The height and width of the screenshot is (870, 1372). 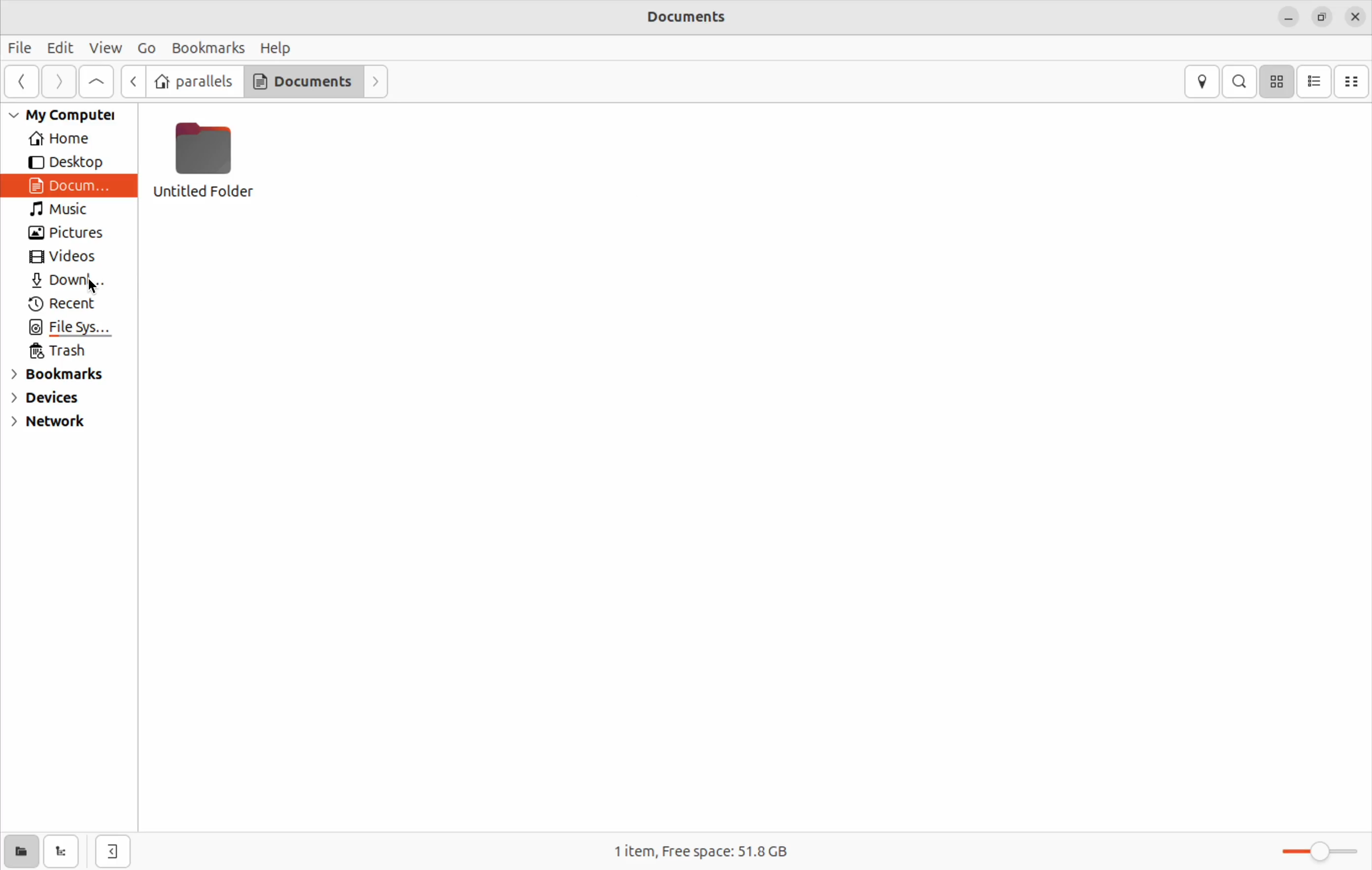 I want to click on 1 item free space 51.8Gb, so click(x=717, y=849).